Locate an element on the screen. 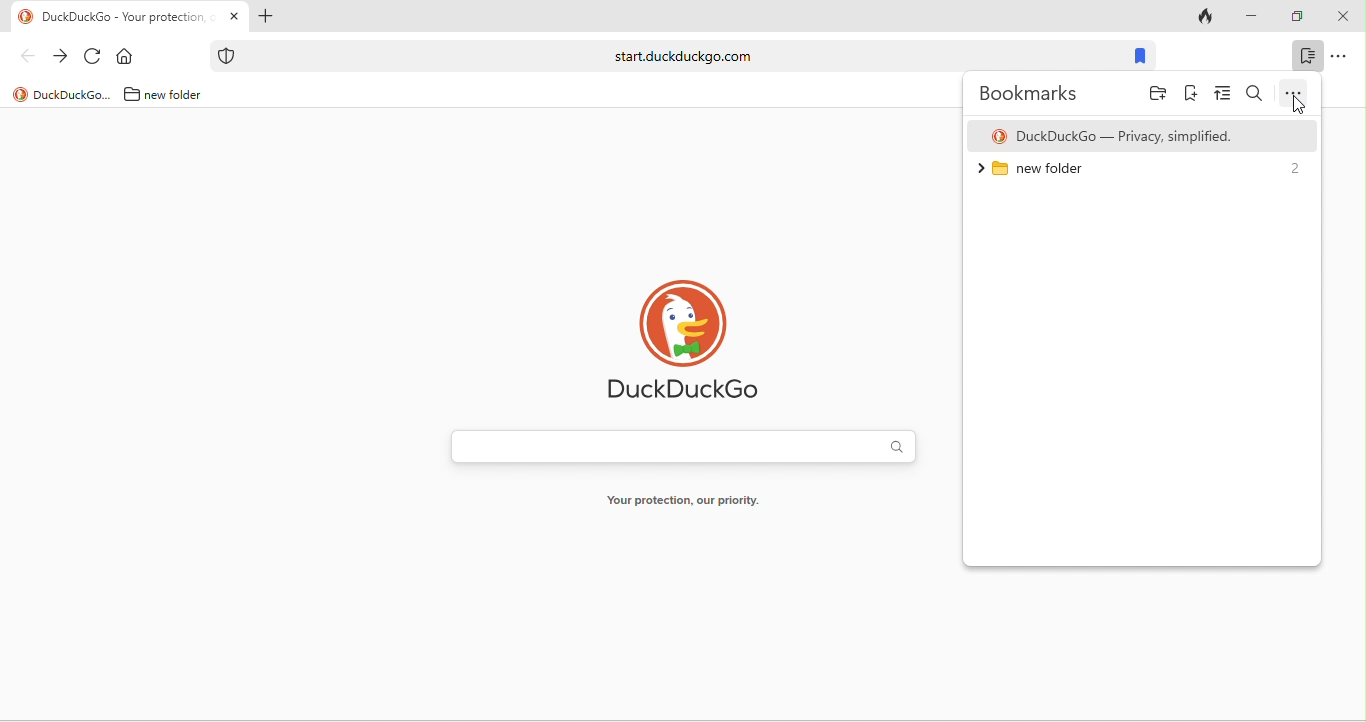 The image size is (1366, 722). search bar is located at coordinates (683, 449).